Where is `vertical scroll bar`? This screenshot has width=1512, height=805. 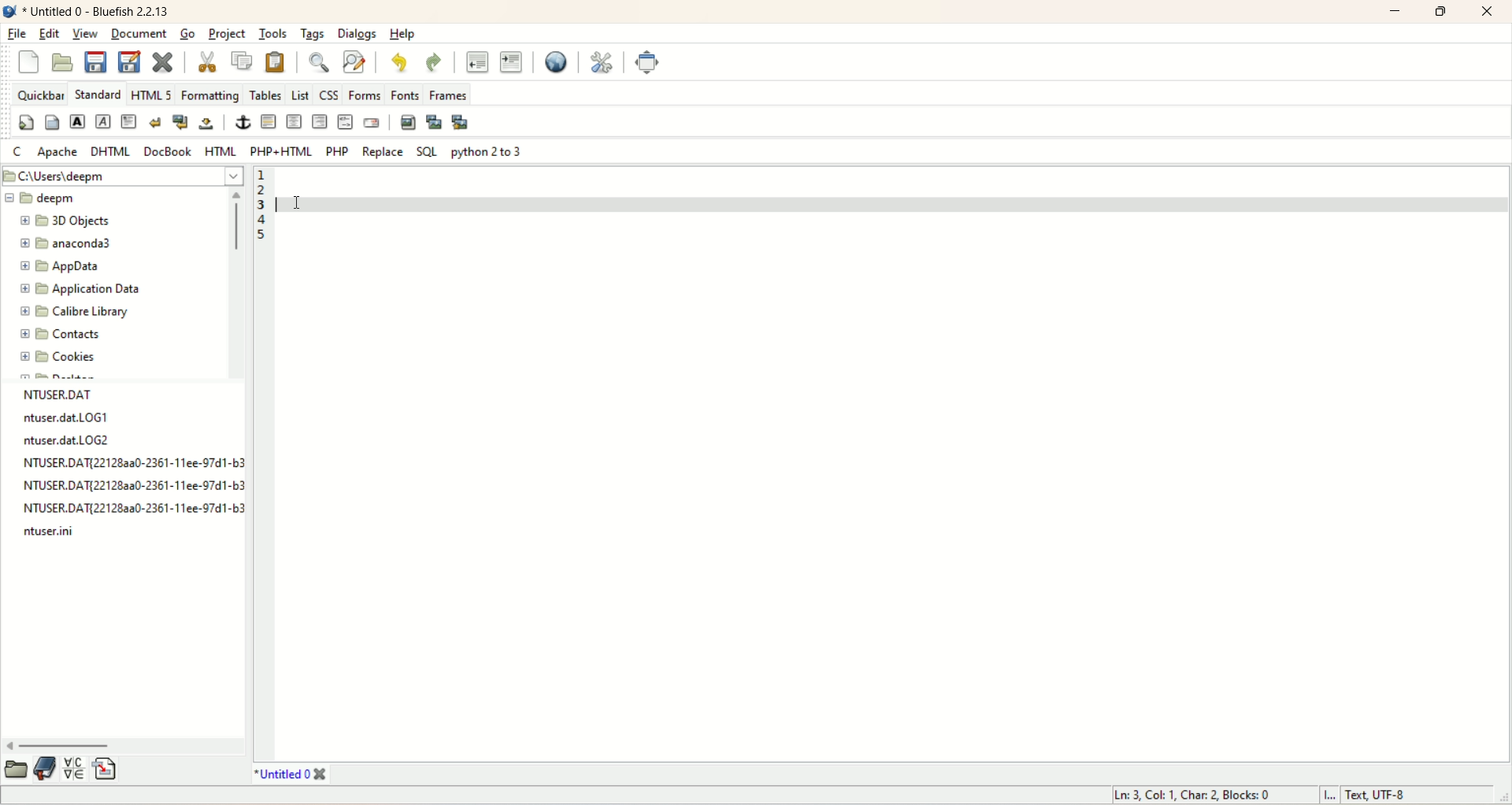
vertical scroll bar is located at coordinates (234, 283).